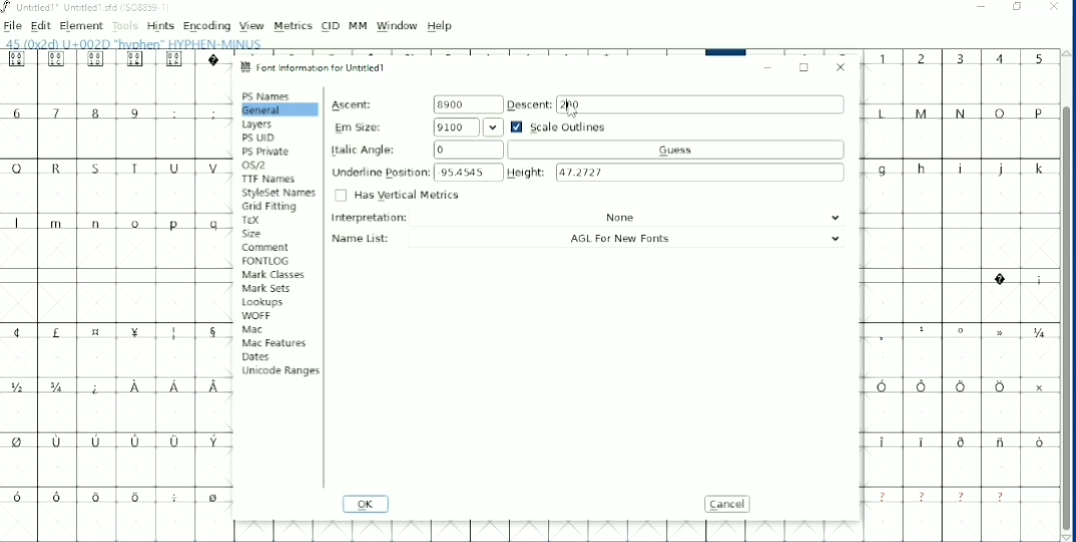 This screenshot has height=542, width=1076. Describe the element at coordinates (441, 26) in the screenshot. I see `Help` at that location.